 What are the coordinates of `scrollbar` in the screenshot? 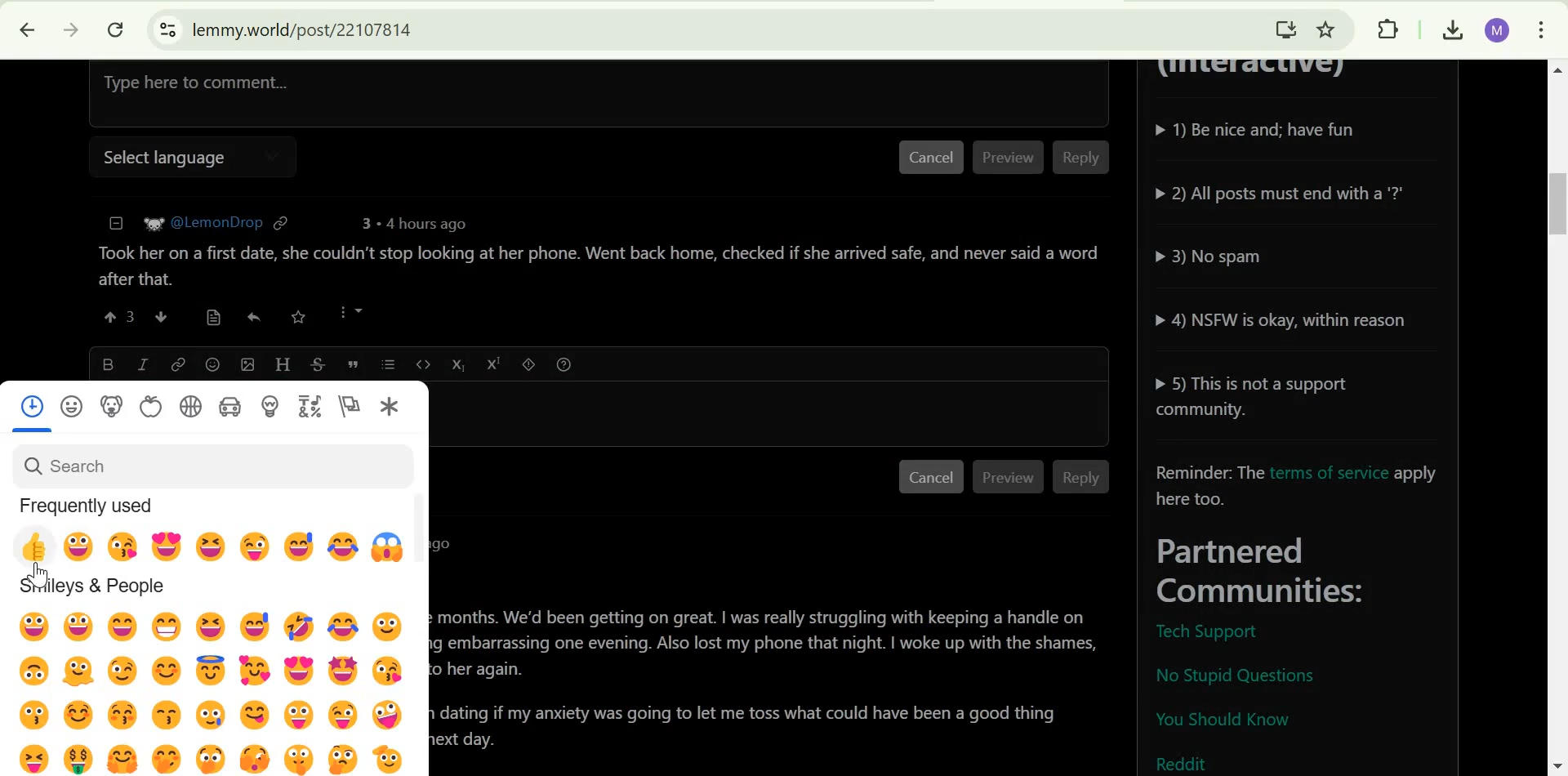 It's located at (1555, 418).